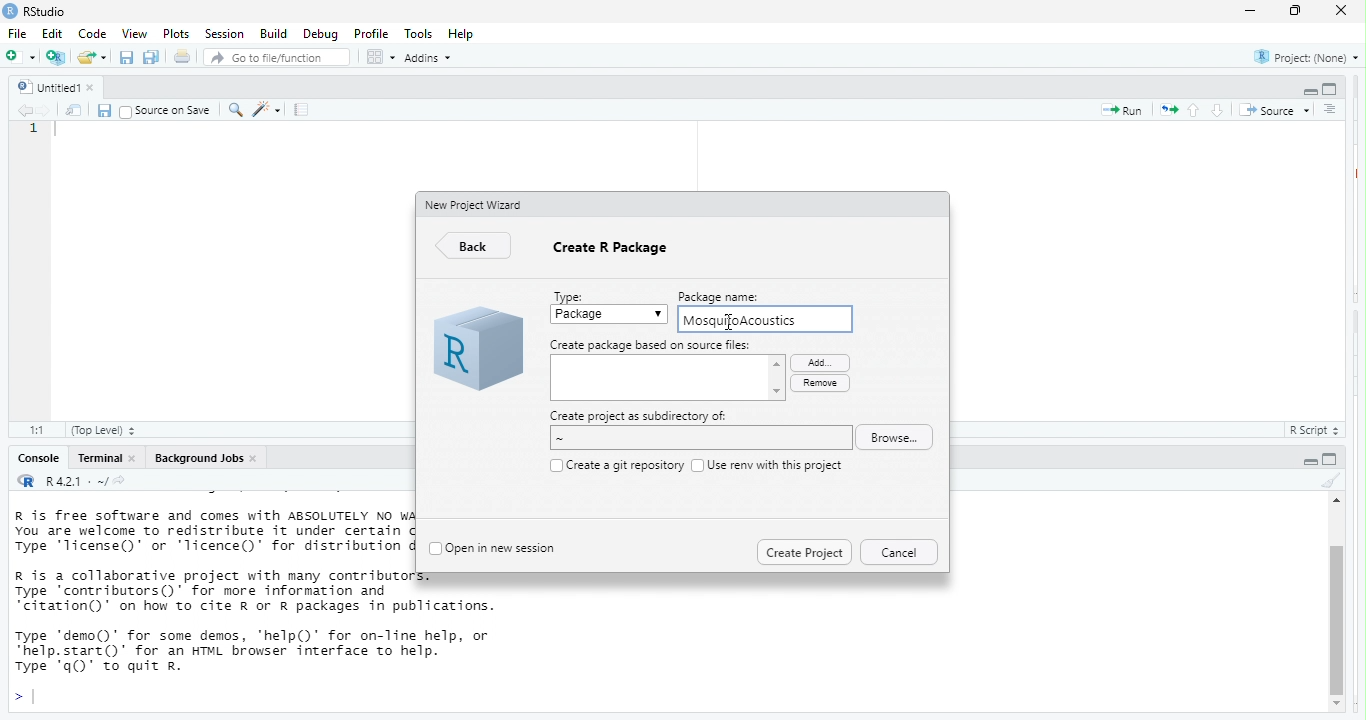 This screenshot has height=720, width=1366. I want to click on go to next section/chunk, so click(1216, 111).